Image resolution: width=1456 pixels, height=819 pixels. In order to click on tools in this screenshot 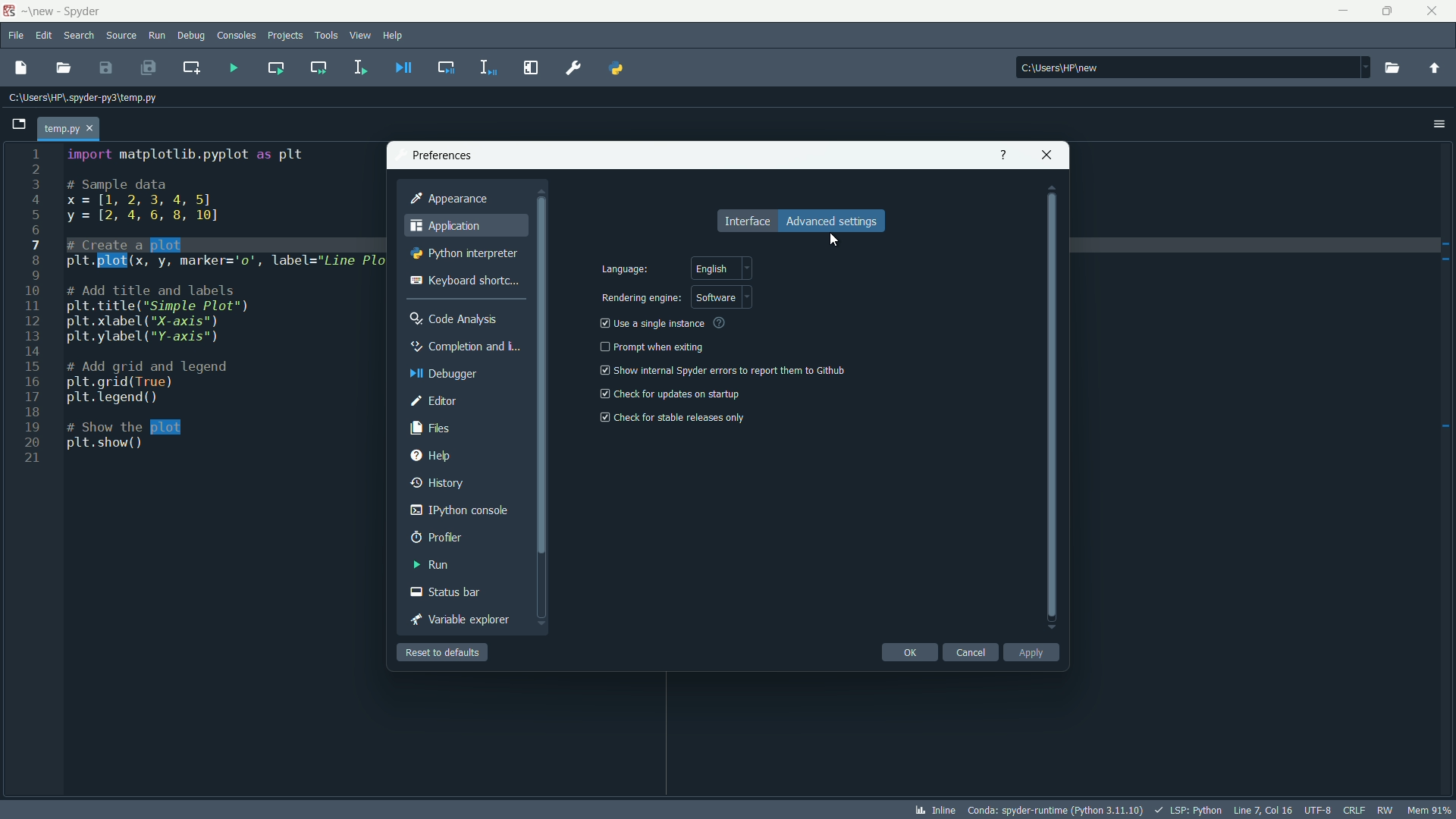, I will do `click(325, 35)`.